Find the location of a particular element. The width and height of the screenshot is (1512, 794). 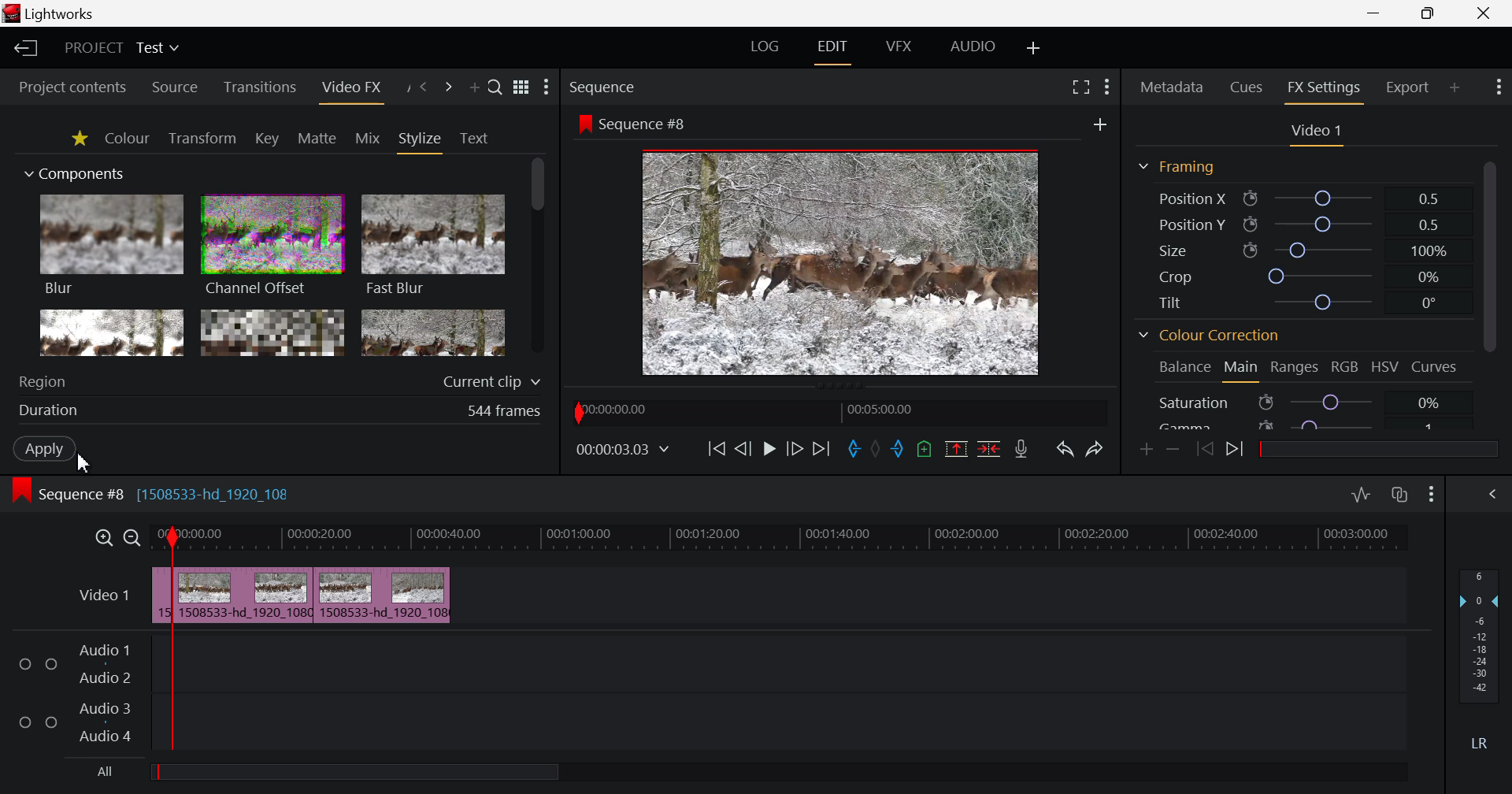

Mark In is located at coordinates (855, 449).